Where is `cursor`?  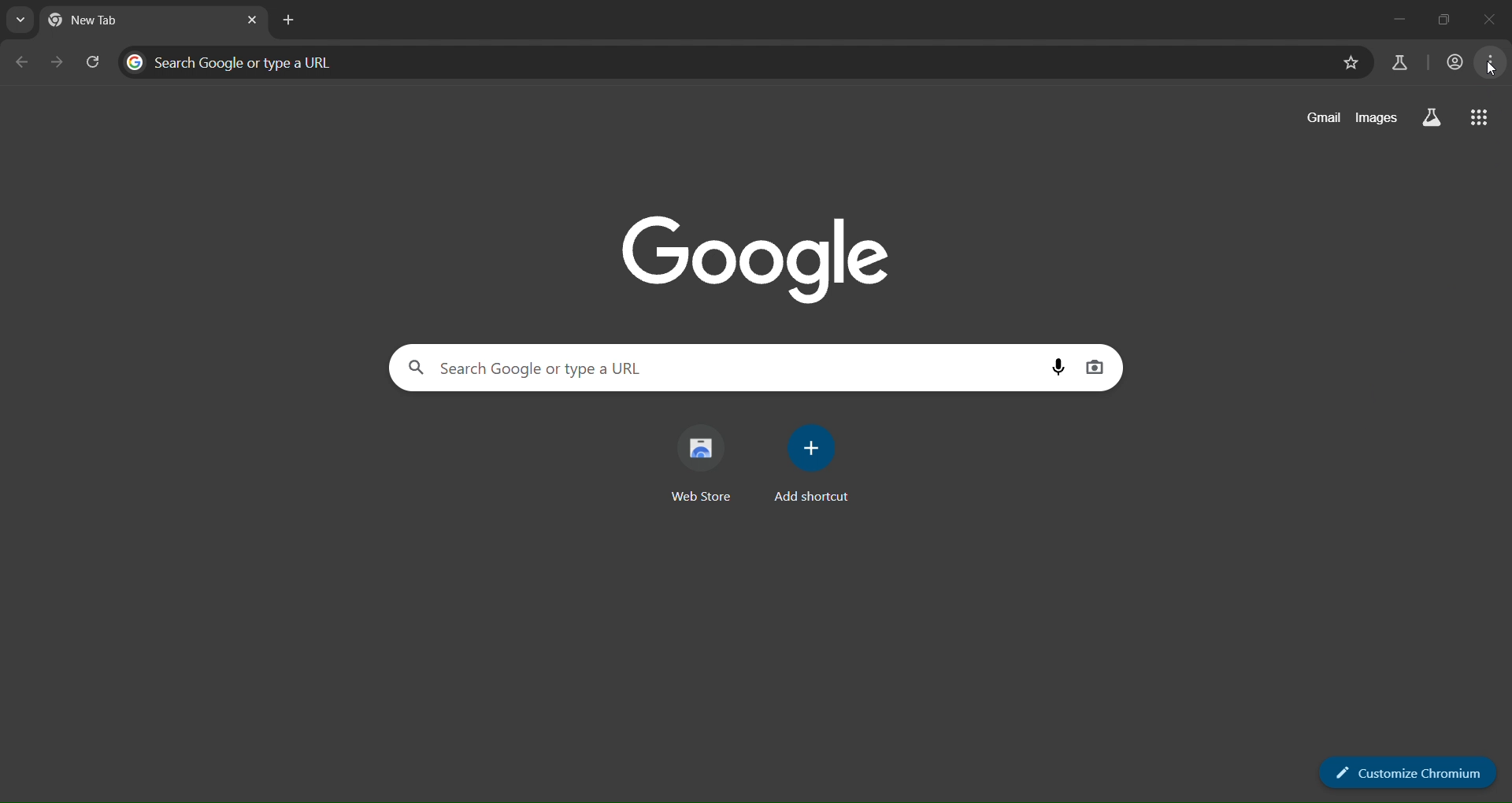
cursor is located at coordinates (1495, 70).